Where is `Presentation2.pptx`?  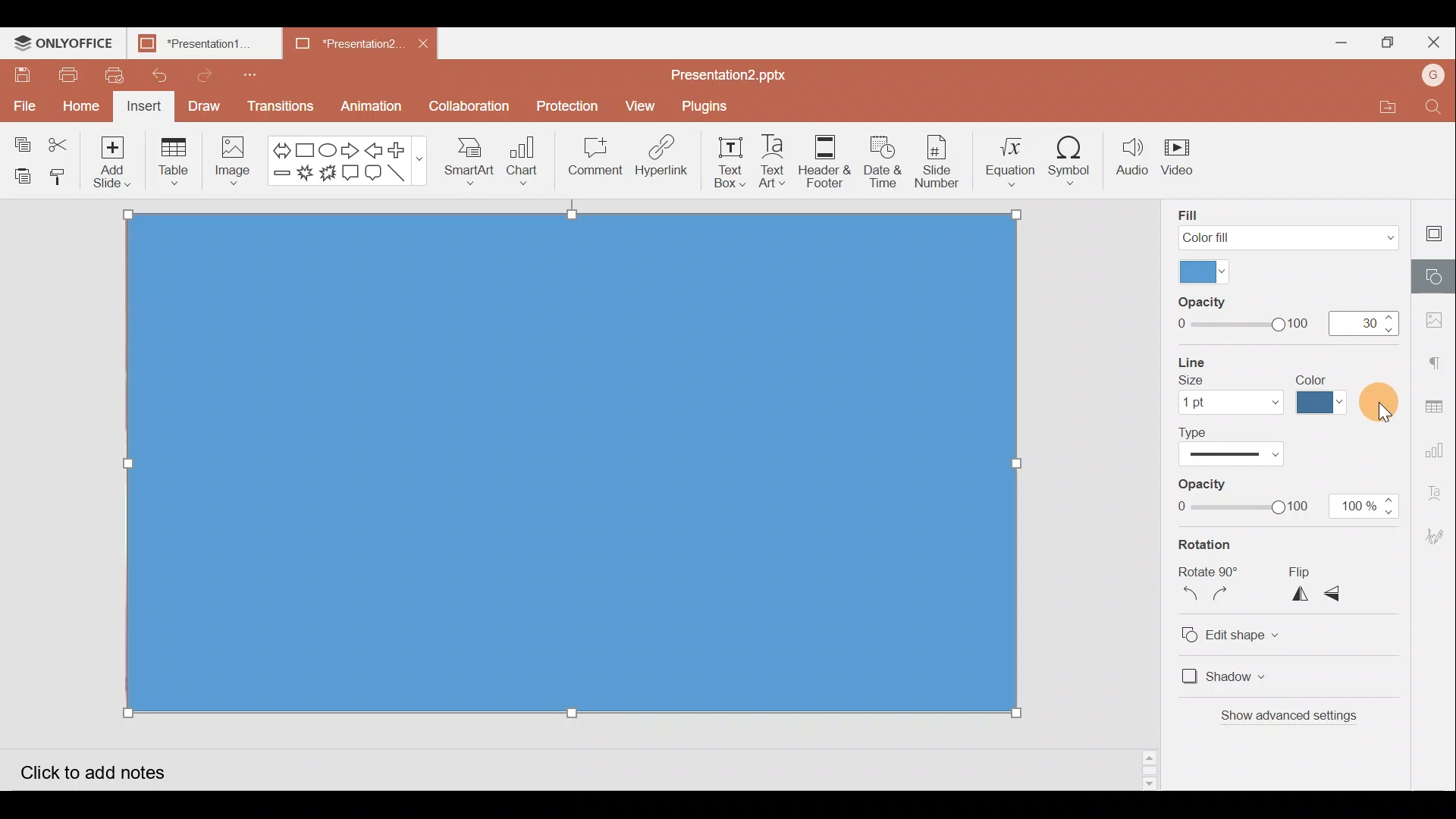 Presentation2.pptx is located at coordinates (740, 72).